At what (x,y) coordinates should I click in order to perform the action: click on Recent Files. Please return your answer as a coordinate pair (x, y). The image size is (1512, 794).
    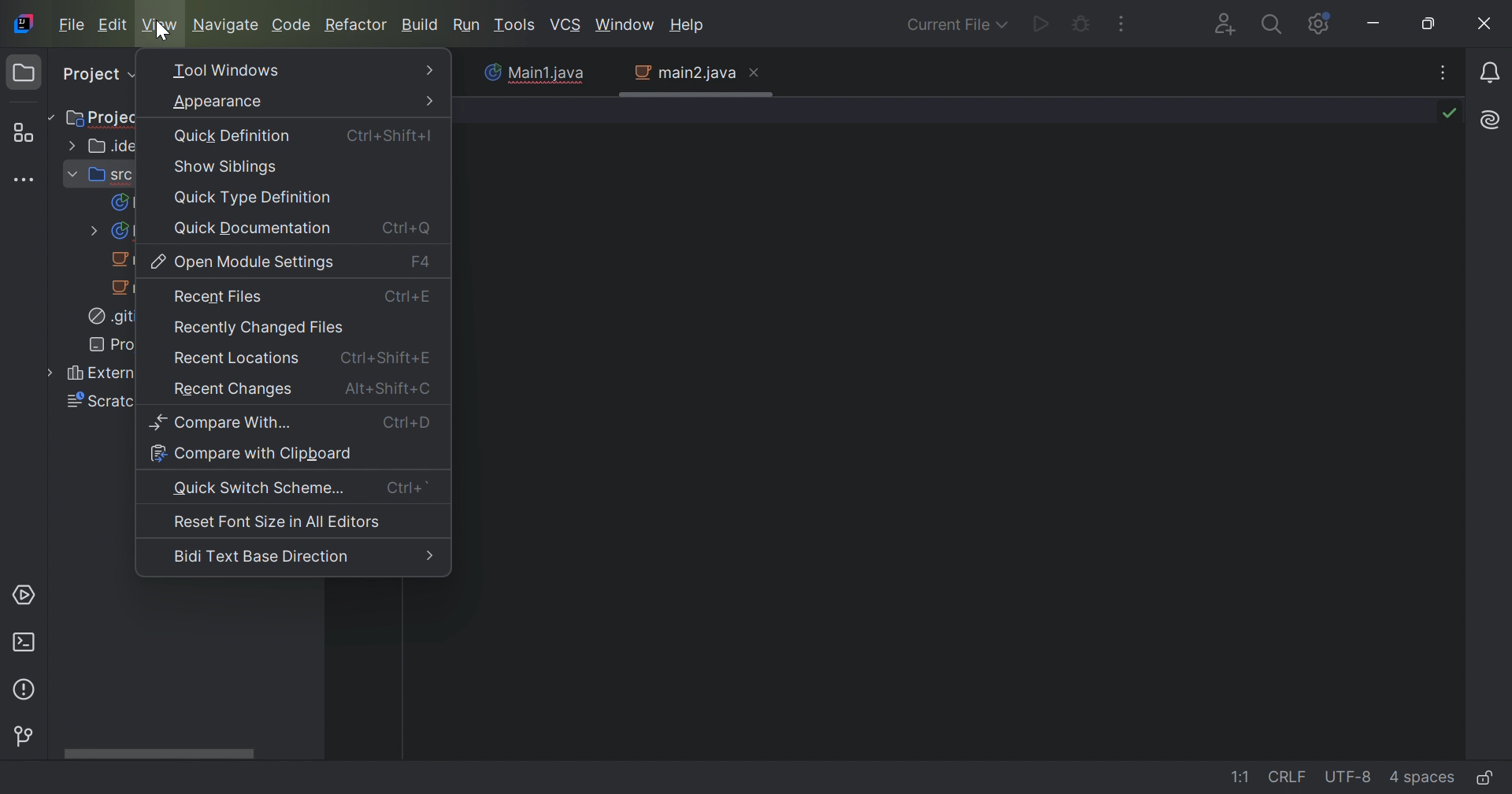
    Looking at the image, I should click on (218, 297).